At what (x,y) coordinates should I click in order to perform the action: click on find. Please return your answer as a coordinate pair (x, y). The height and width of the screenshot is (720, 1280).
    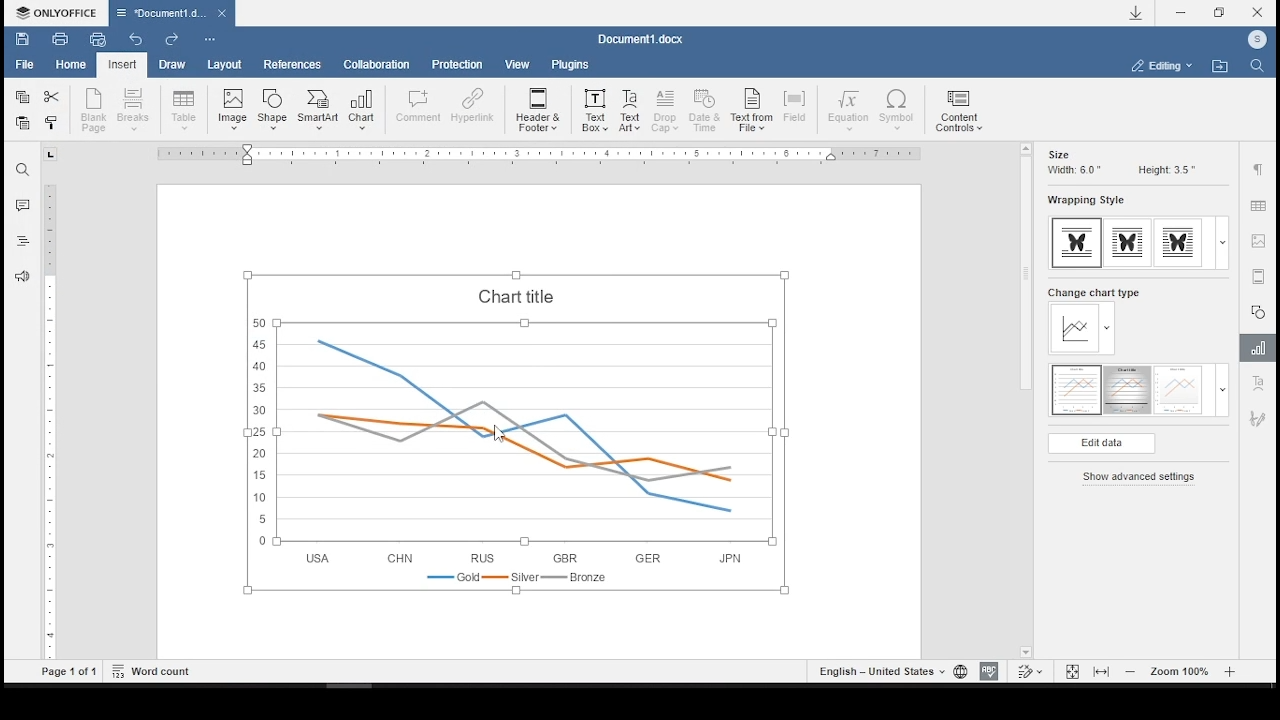
    Looking at the image, I should click on (22, 168).